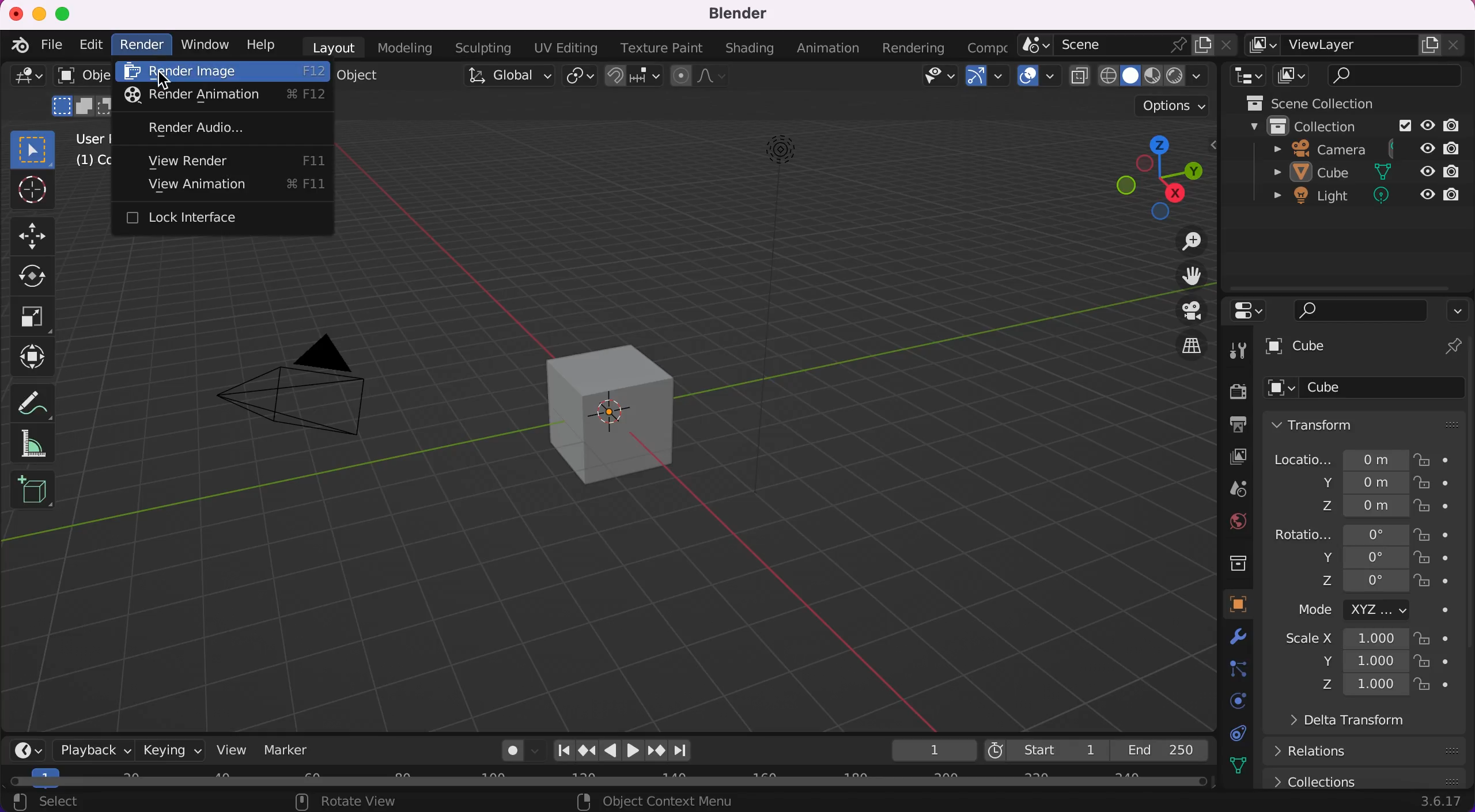 The image size is (1475, 812). Describe the element at coordinates (1186, 279) in the screenshot. I see `move the view` at that location.